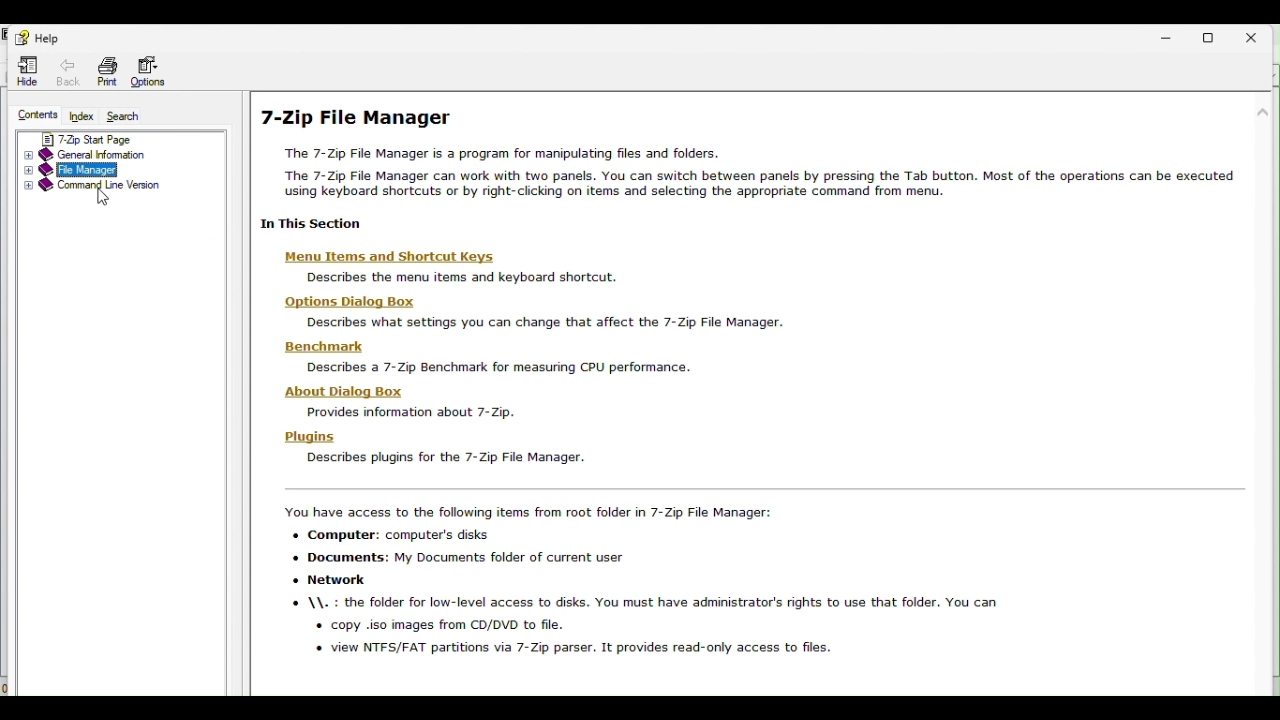 This screenshot has height=720, width=1280. Describe the element at coordinates (339, 391) in the screenshot. I see `about dialog box` at that location.